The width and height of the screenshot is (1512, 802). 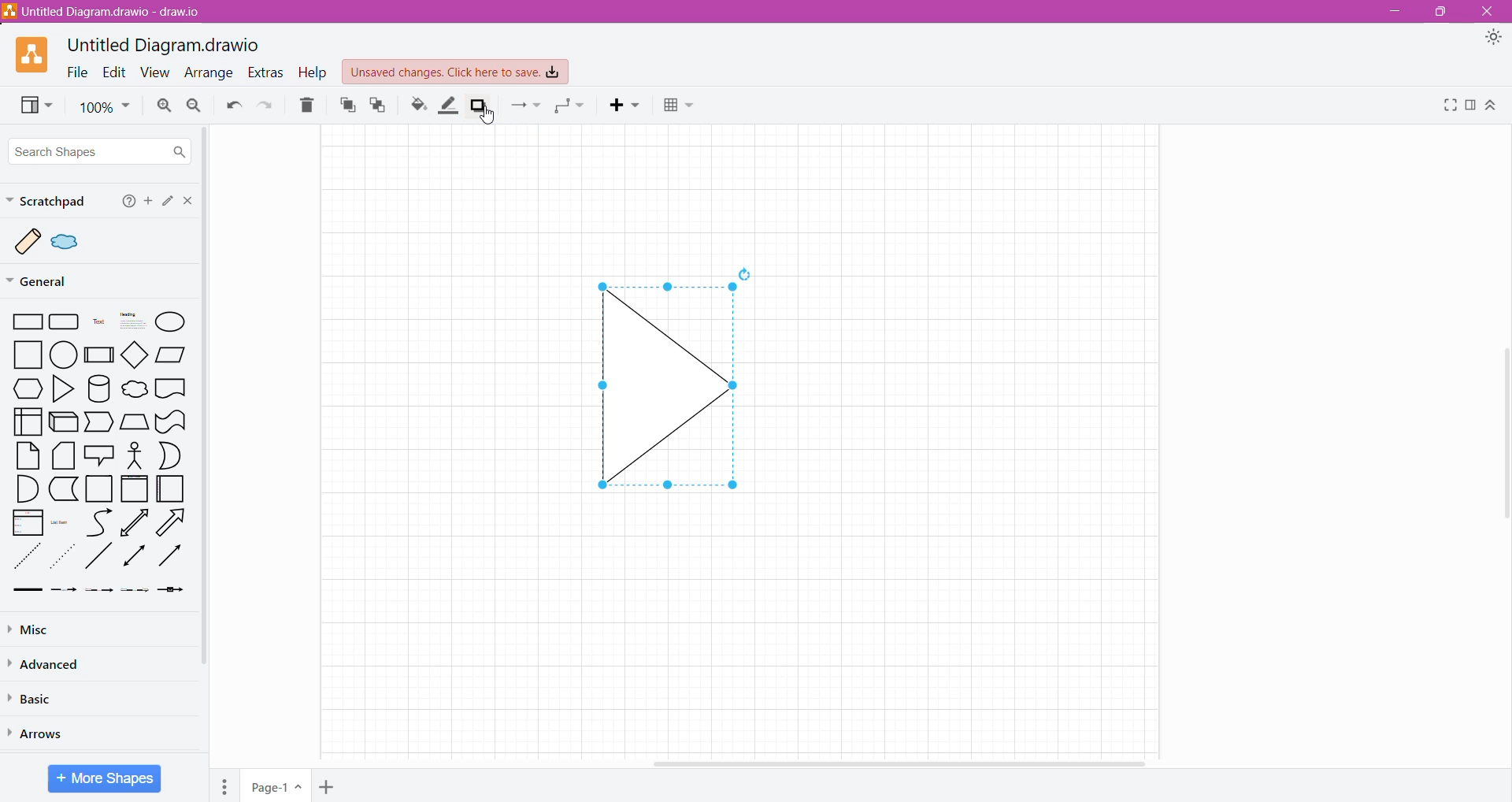 What do you see at coordinates (1447, 105) in the screenshot?
I see `Full Screen` at bounding box center [1447, 105].